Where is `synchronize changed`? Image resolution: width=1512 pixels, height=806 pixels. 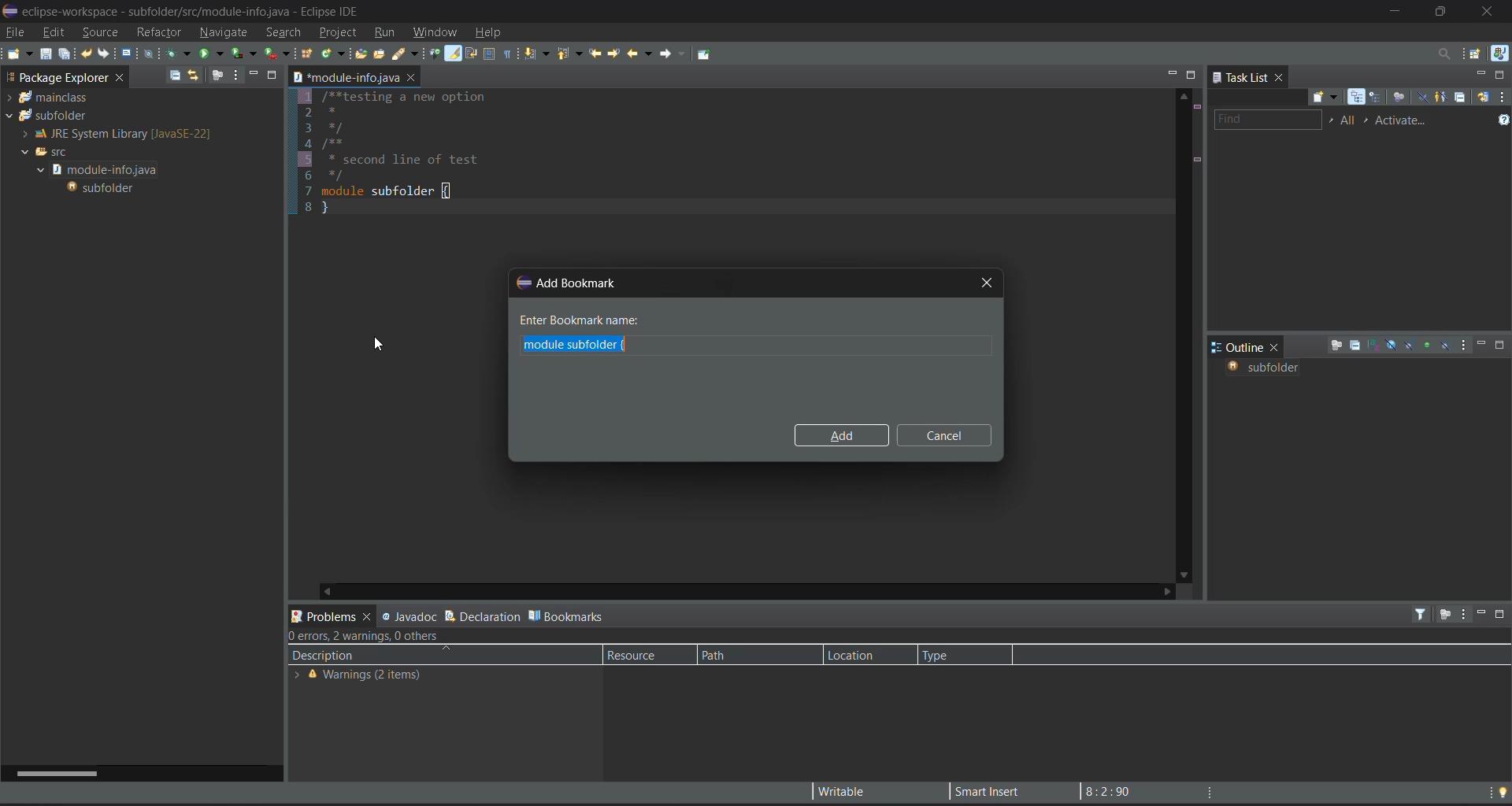
synchronize changed is located at coordinates (1482, 96).